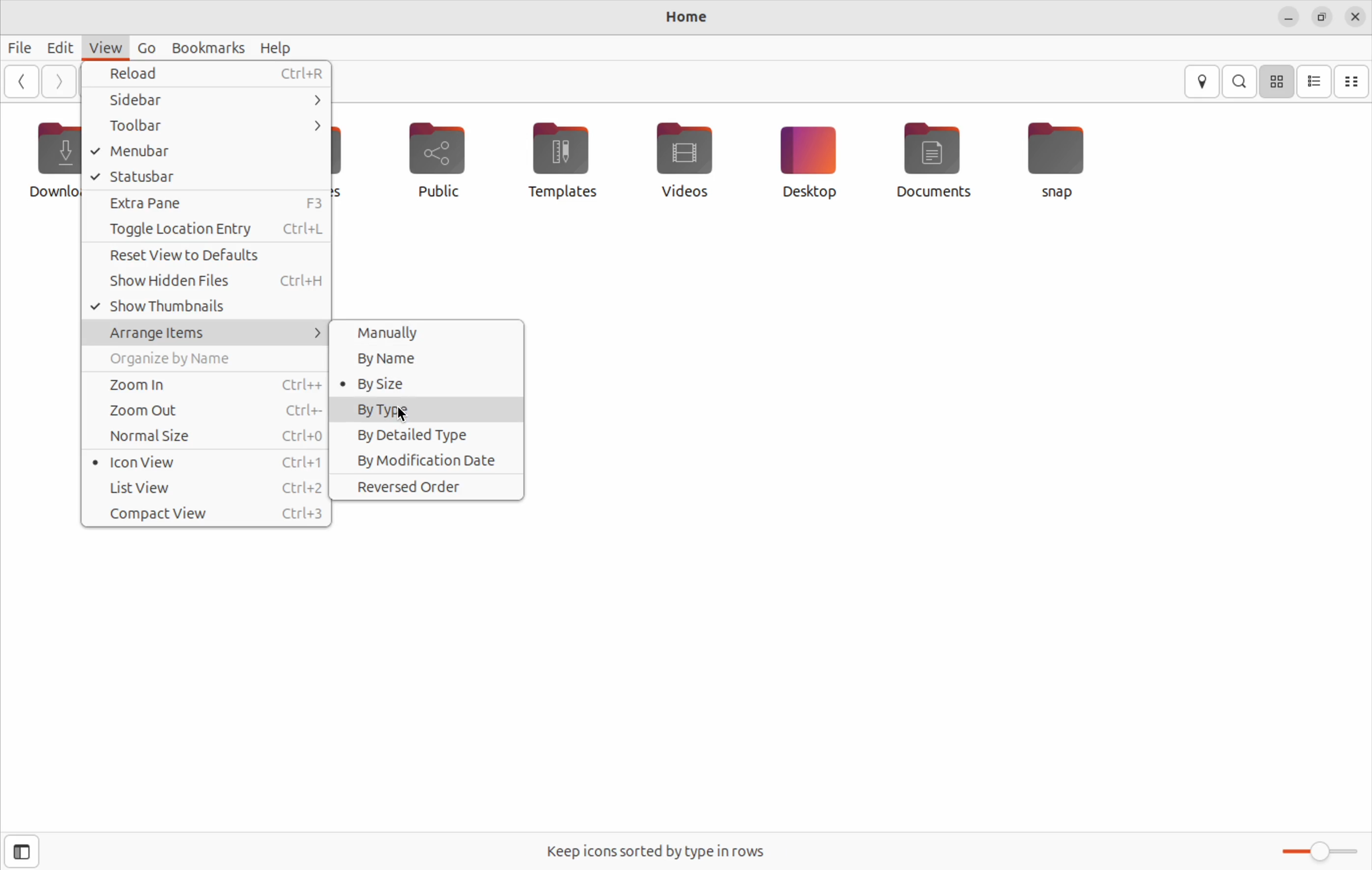 This screenshot has height=870, width=1372. What do you see at coordinates (208, 103) in the screenshot?
I see `side bar` at bounding box center [208, 103].